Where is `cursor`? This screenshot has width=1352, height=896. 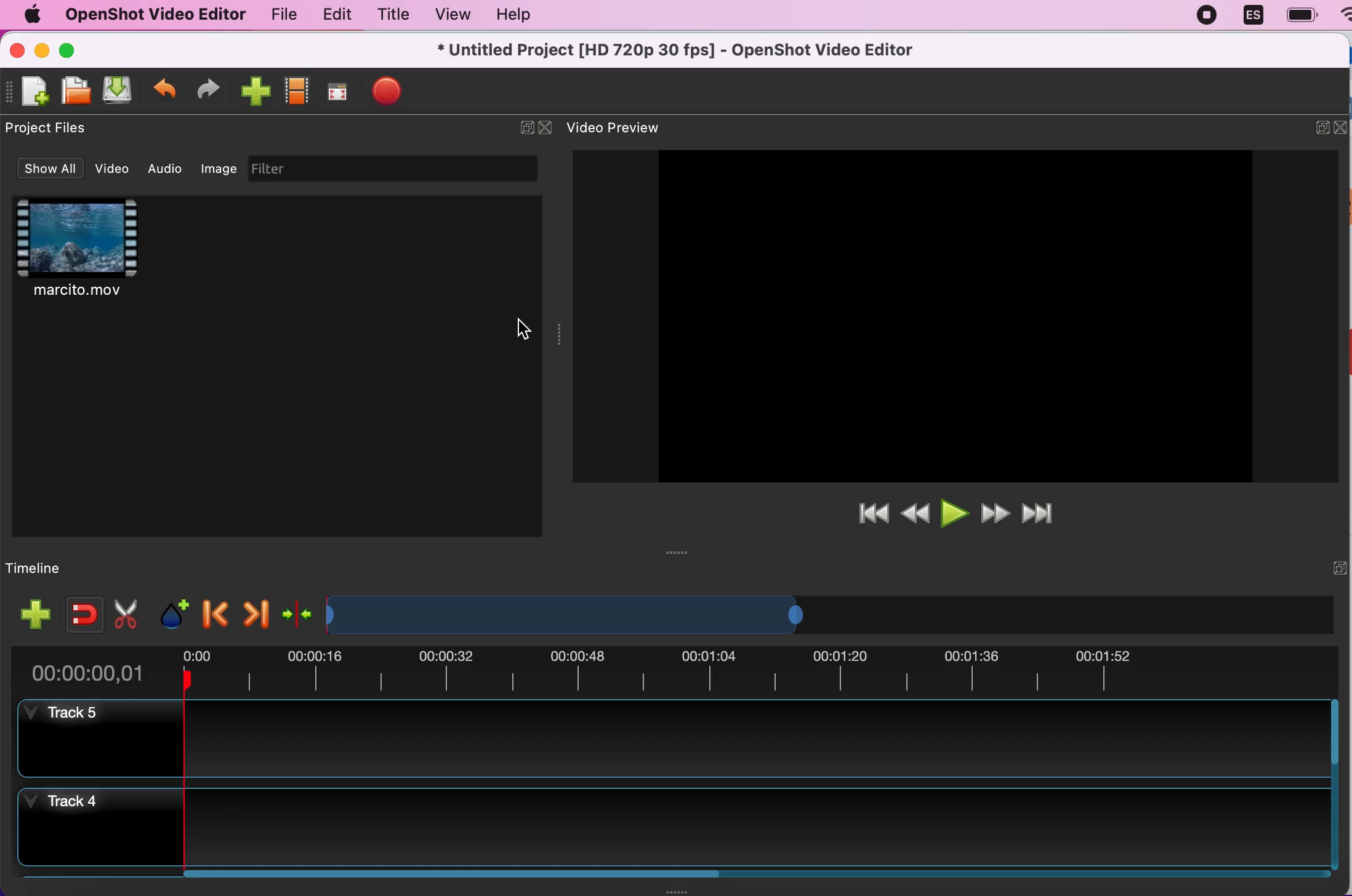 cursor is located at coordinates (523, 330).